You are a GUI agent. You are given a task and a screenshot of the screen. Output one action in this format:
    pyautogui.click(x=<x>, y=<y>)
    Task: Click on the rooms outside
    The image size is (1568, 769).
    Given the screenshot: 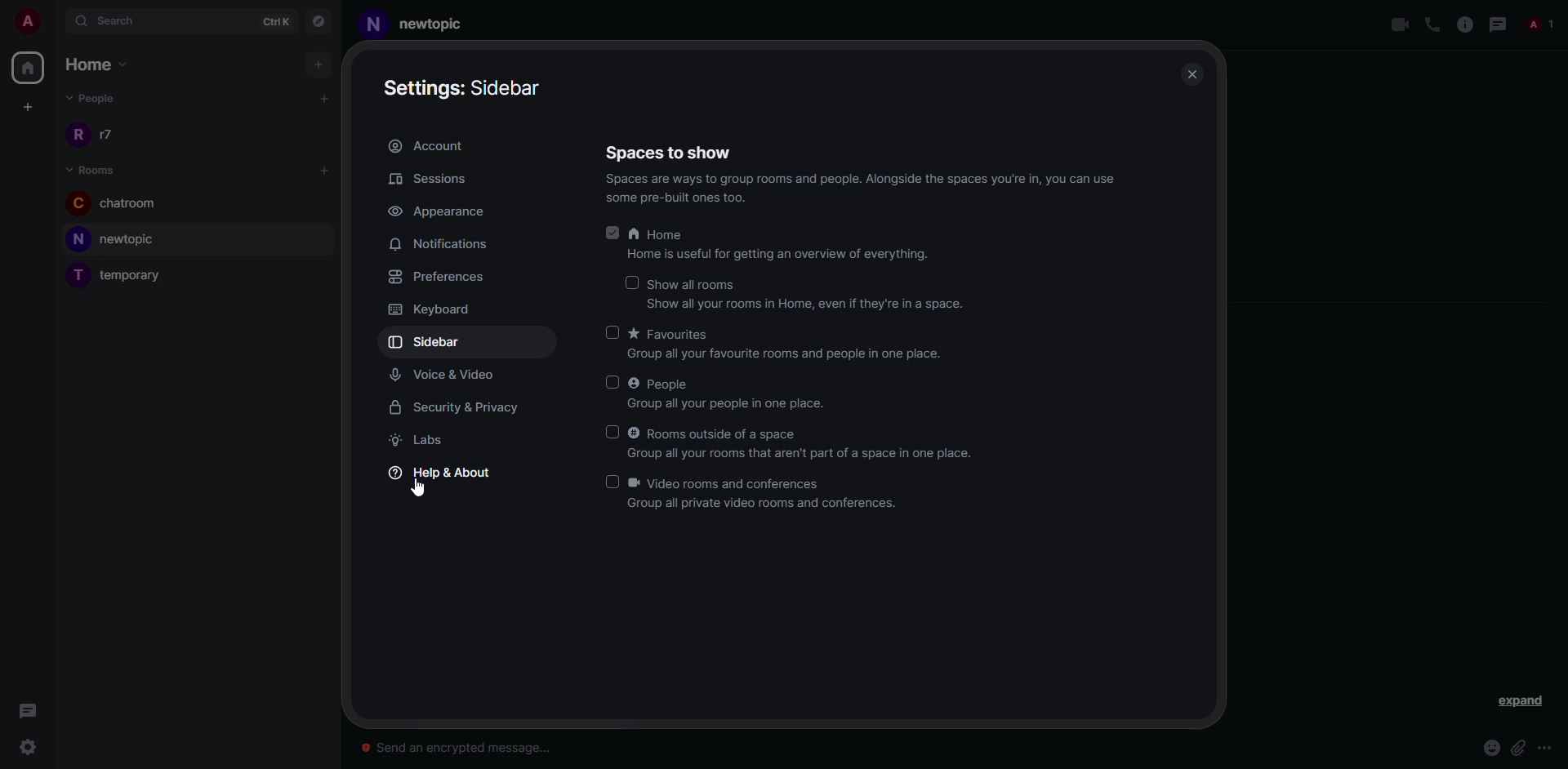 What is the action you would take?
    pyautogui.click(x=719, y=433)
    